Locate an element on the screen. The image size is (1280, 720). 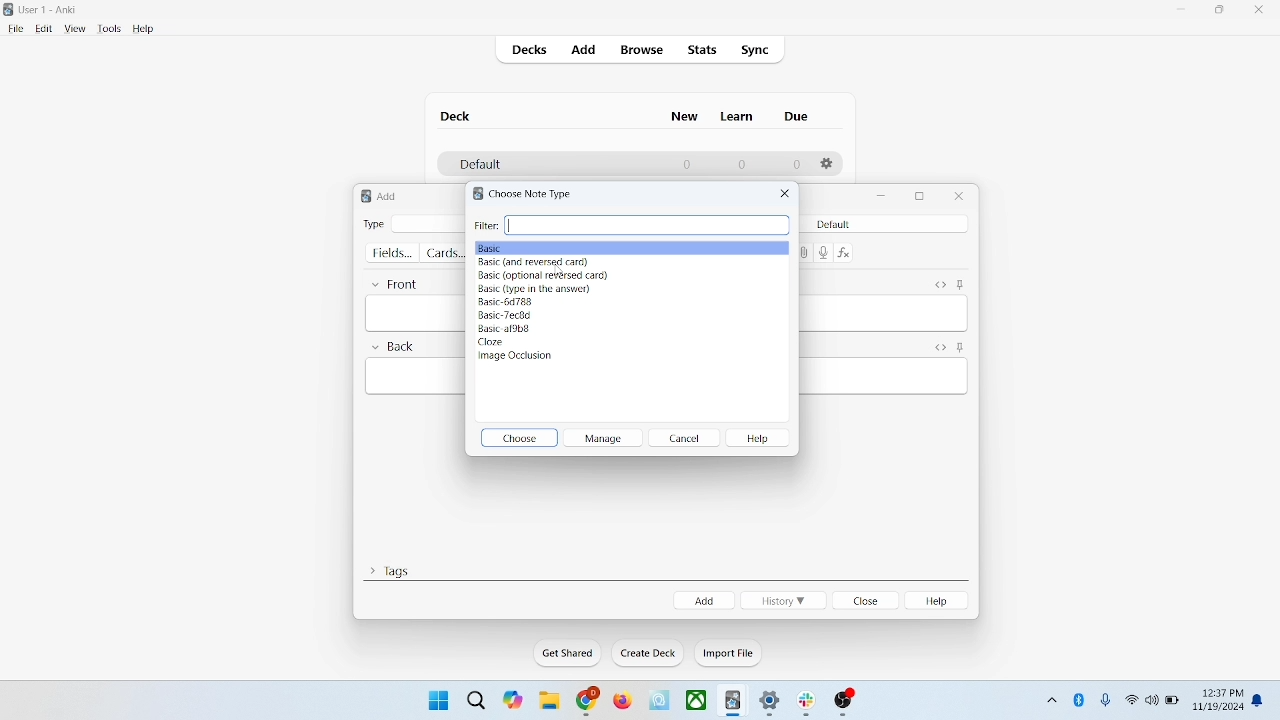
options is located at coordinates (828, 164).